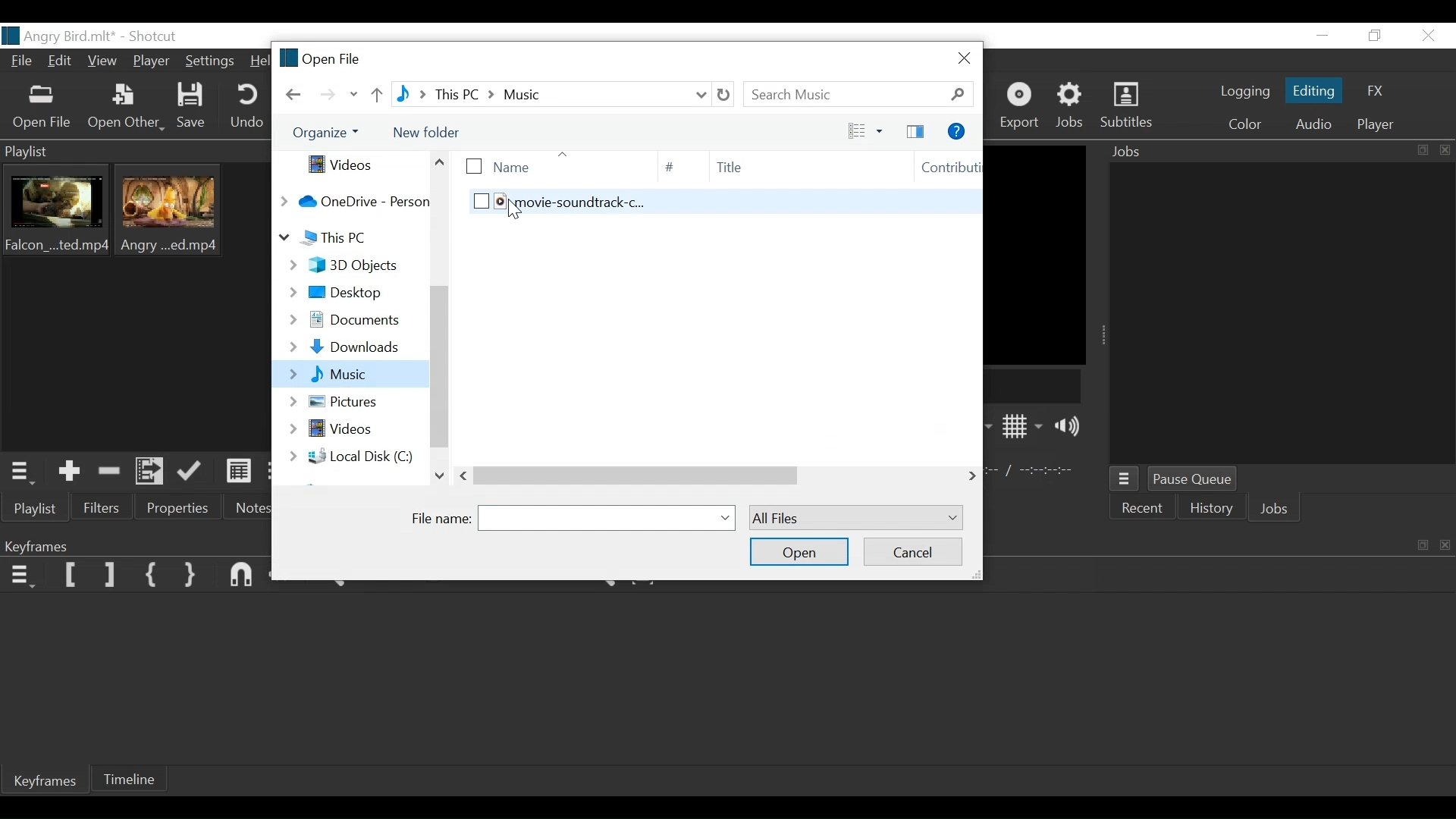 This screenshot has height=819, width=1456. I want to click on File Name, so click(443, 517).